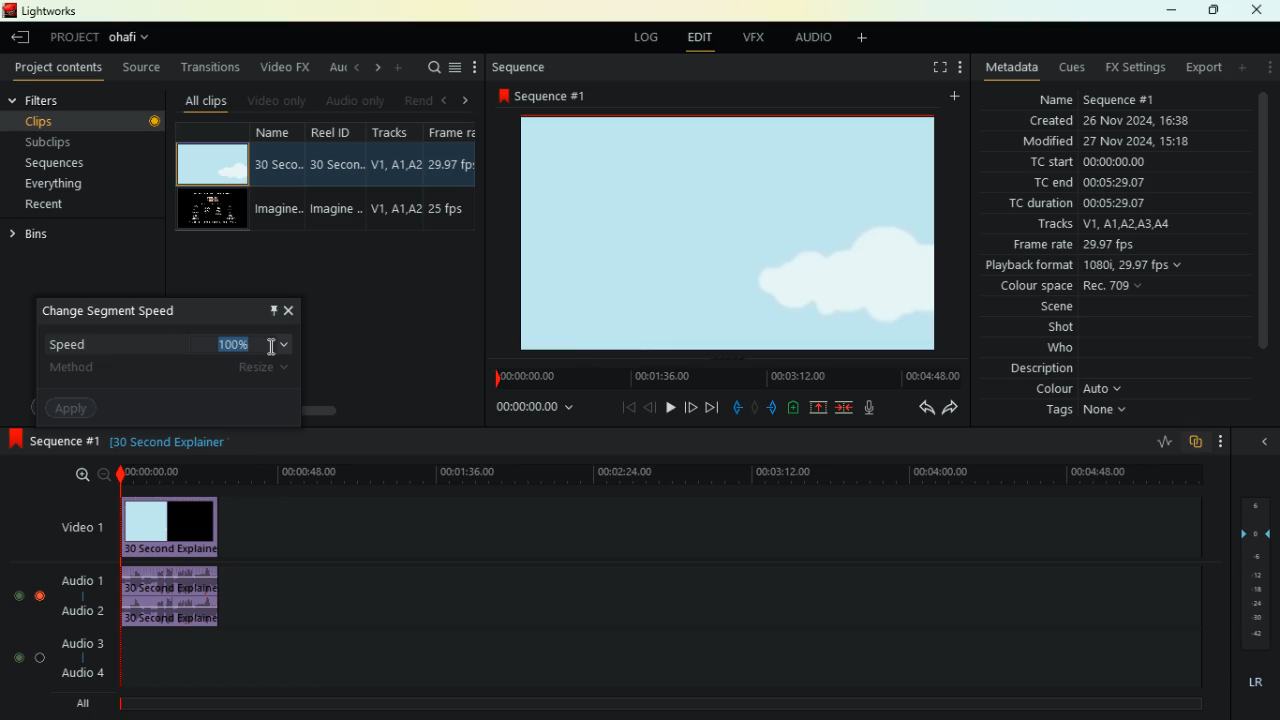 This screenshot has height=720, width=1280. I want to click on play, so click(670, 406).